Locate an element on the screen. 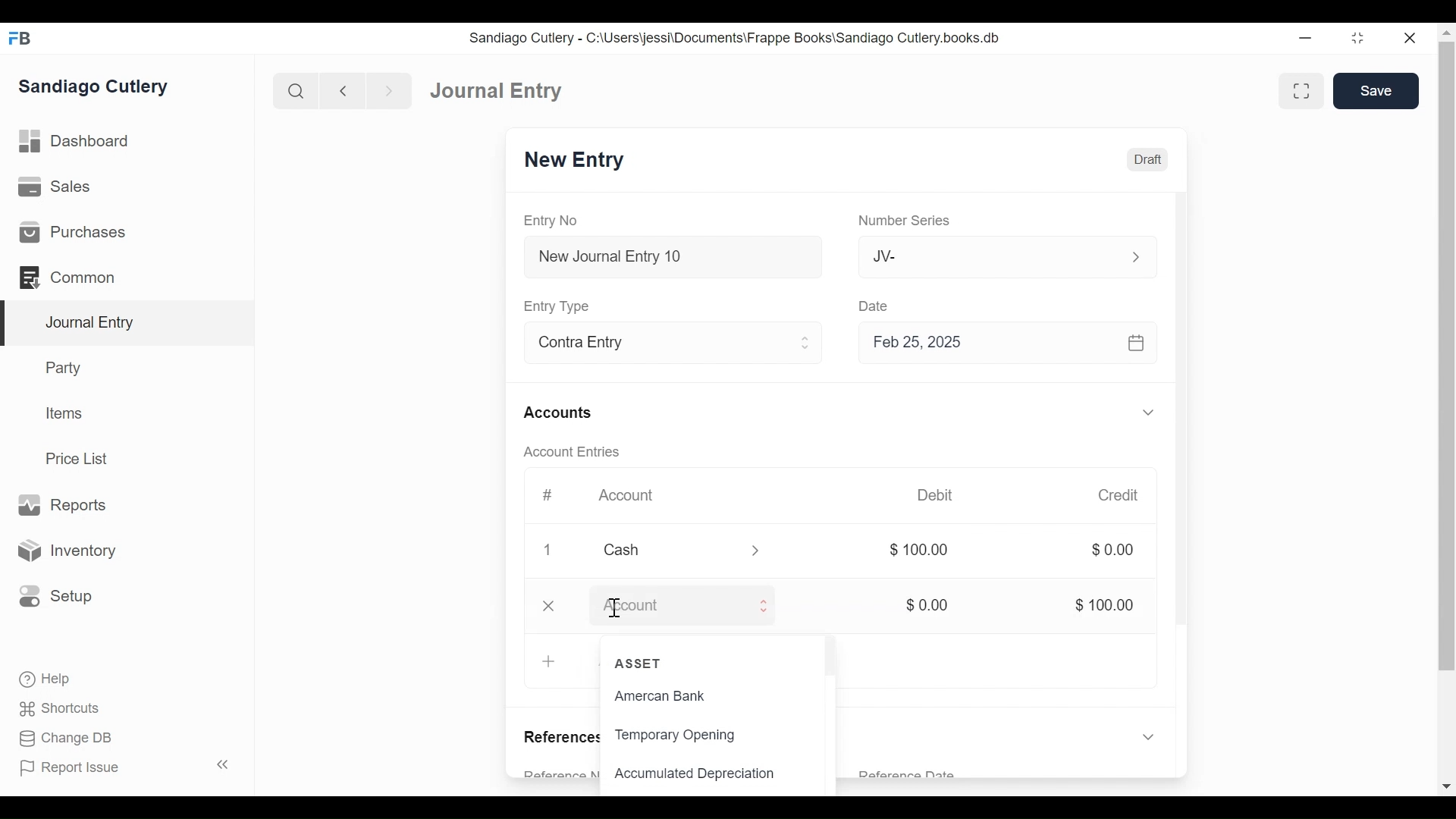 This screenshot has width=1456, height=819. $0.00 is located at coordinates (934, 605).